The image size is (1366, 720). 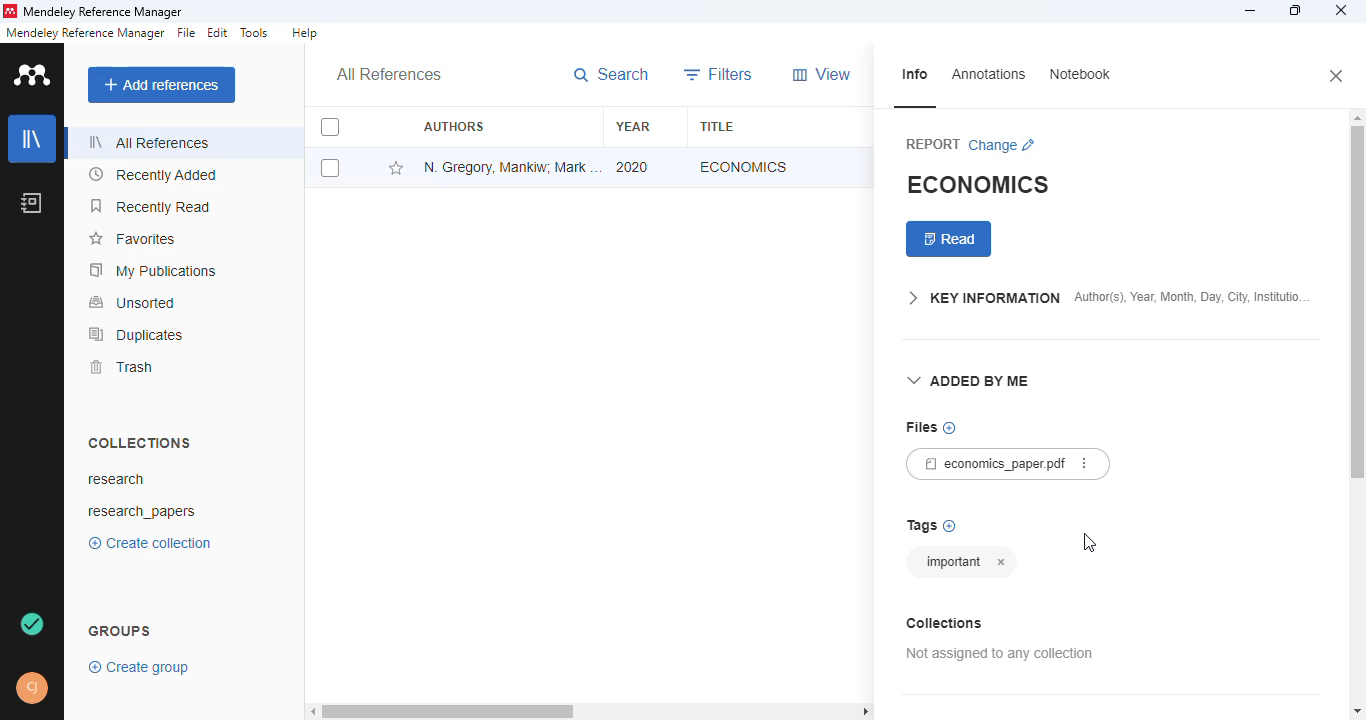 What do you see at coordinates (980, 183) in the screenshot?
I see `economics` at bounding box center [980, 183].